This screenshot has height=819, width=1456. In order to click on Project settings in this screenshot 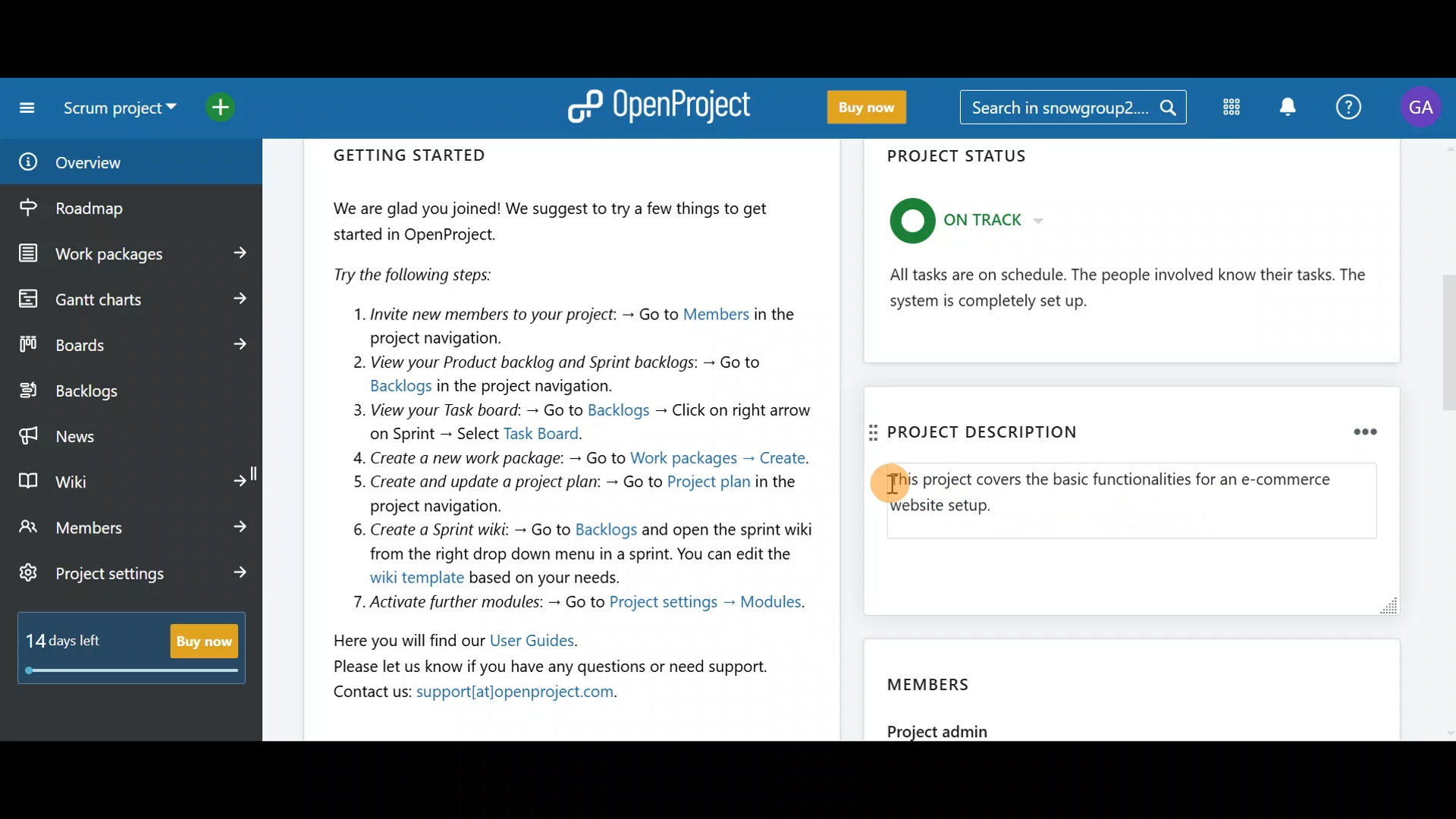, I will do `click(135, 576)`.